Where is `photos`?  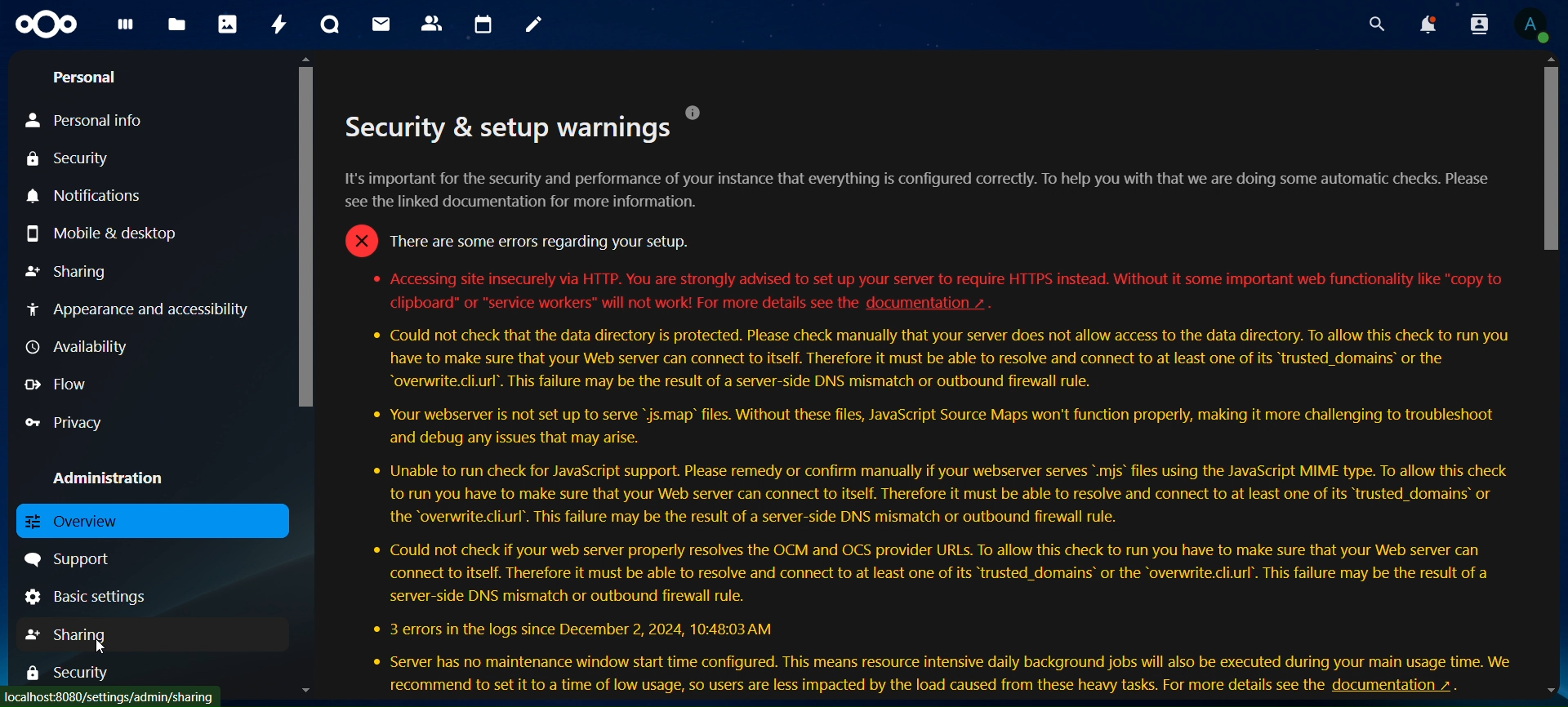 photos is located at coordinates (227, 24).